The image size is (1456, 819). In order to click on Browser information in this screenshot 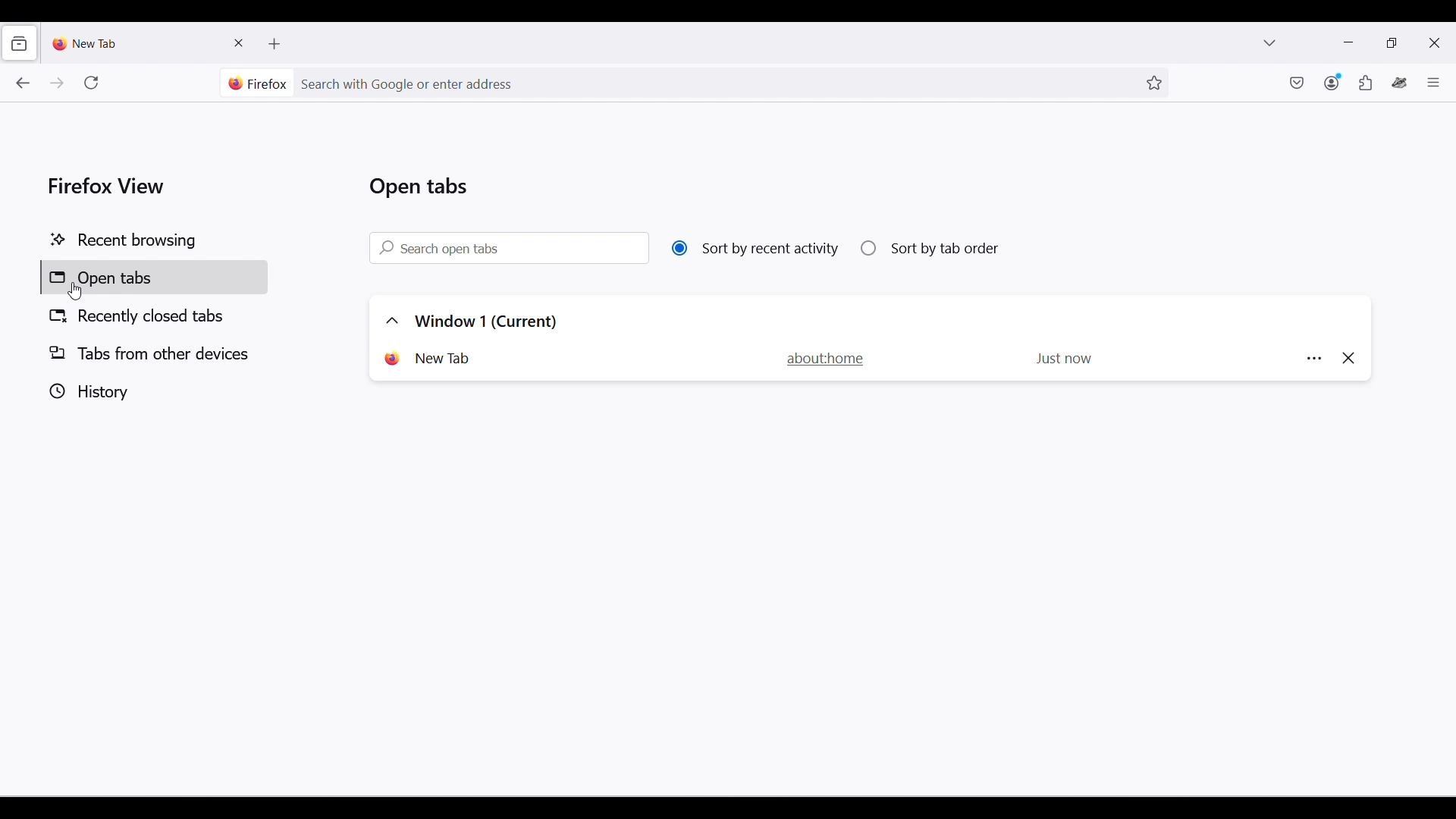, I will do `click(258, 83)`.